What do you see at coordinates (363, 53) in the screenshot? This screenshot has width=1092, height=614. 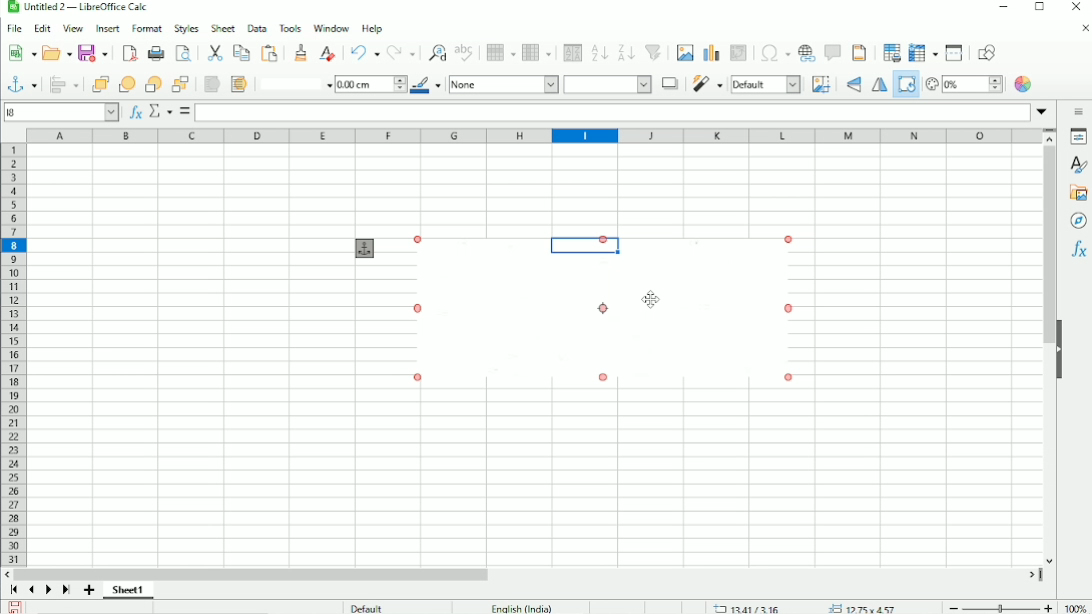 I see `Undo` at bounding box center [363, 53].